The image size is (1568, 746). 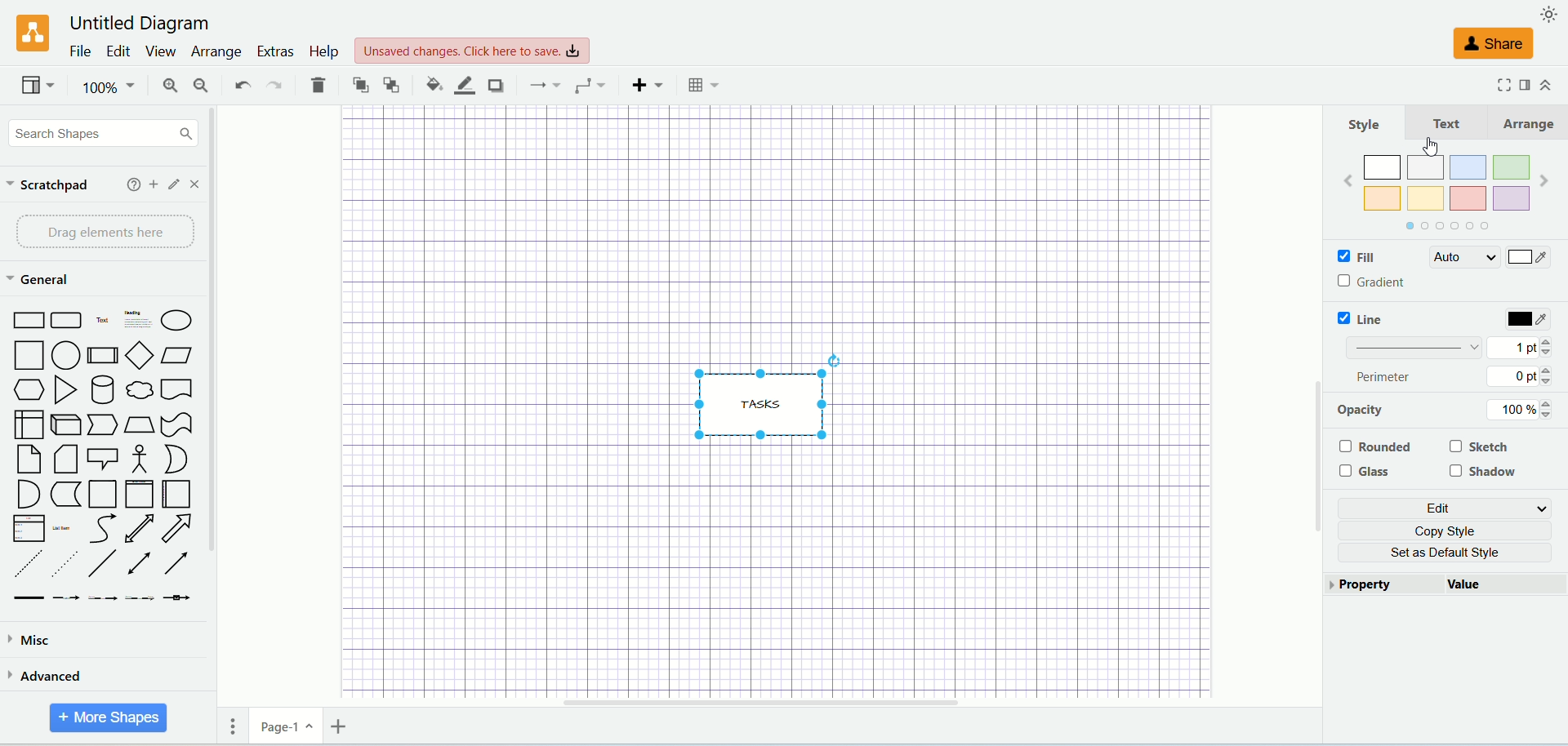 I want to click on gradient, so click(x=1374, y=283).